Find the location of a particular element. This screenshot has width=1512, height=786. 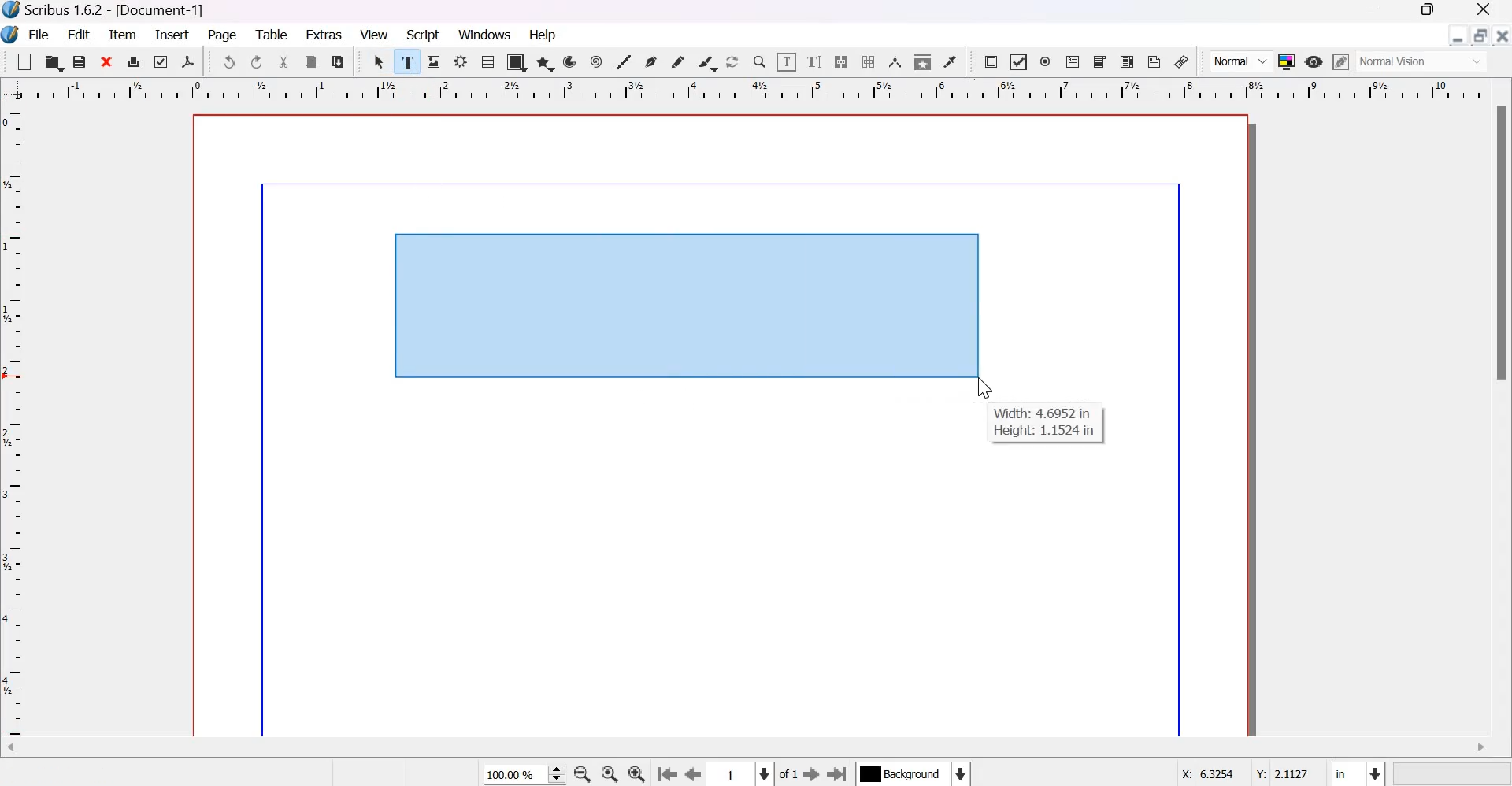

Extras is located at coordinates (324, 33).